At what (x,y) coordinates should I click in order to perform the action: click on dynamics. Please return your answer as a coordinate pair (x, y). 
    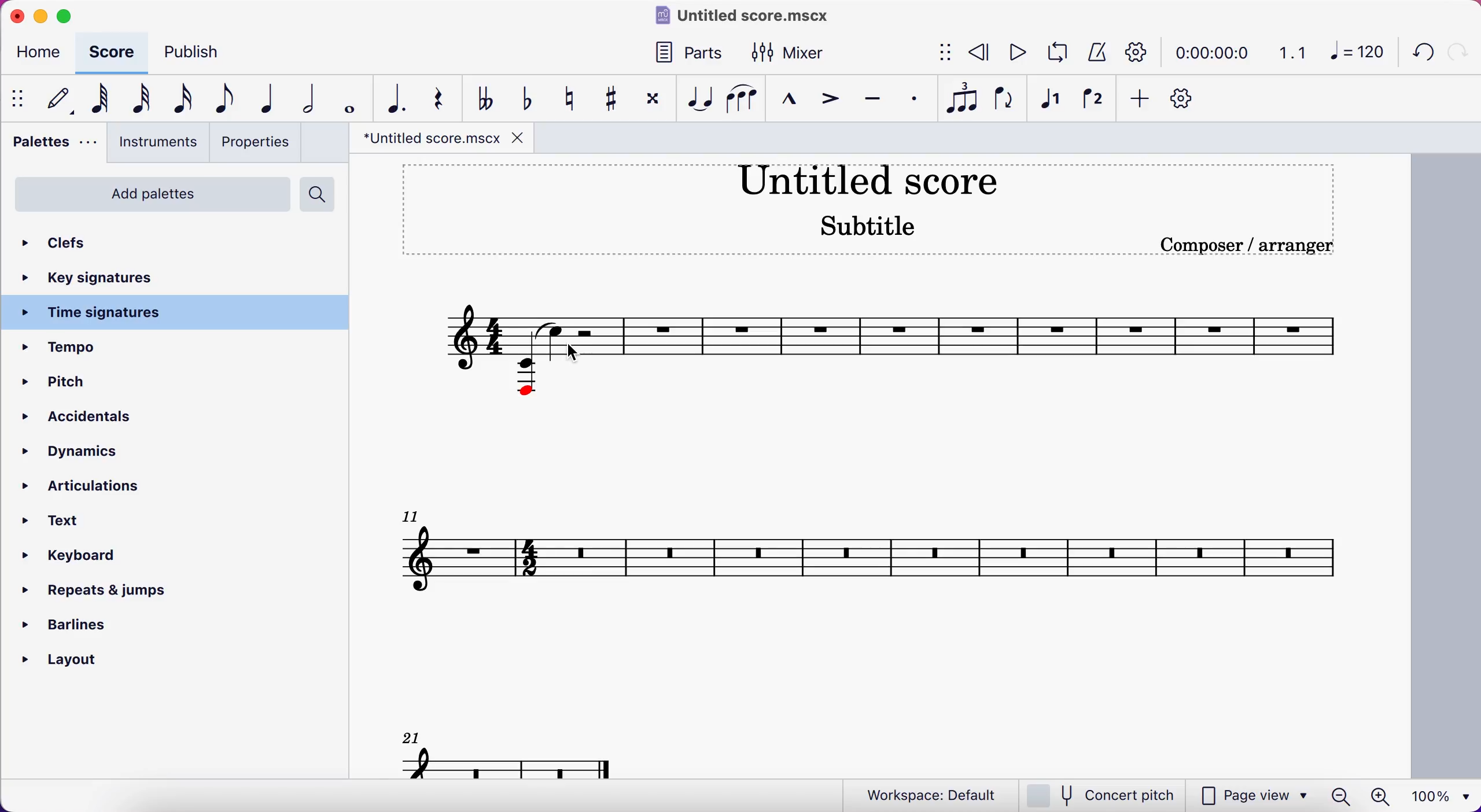
    Looking at the image, I should click on (97, 454).